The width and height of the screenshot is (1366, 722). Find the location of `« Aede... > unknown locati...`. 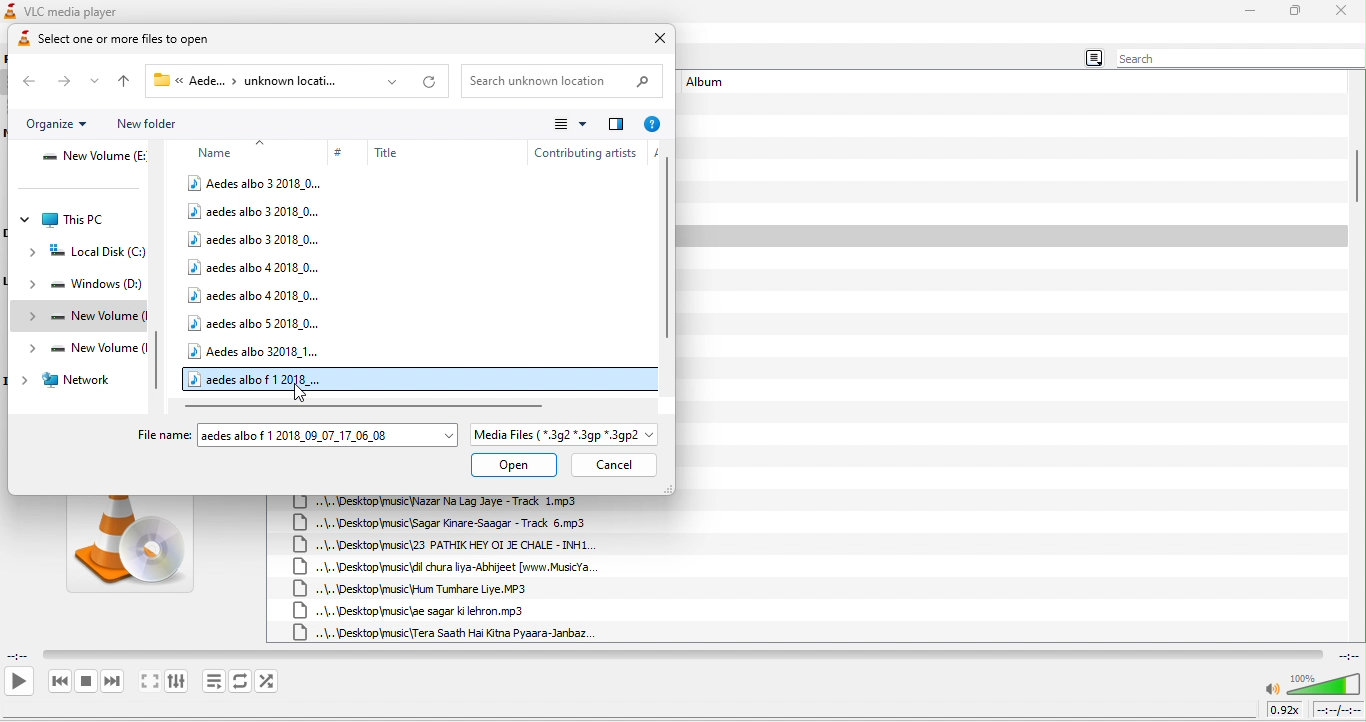

« Aede... > unknown locati... is located at coordinates (279, 80).